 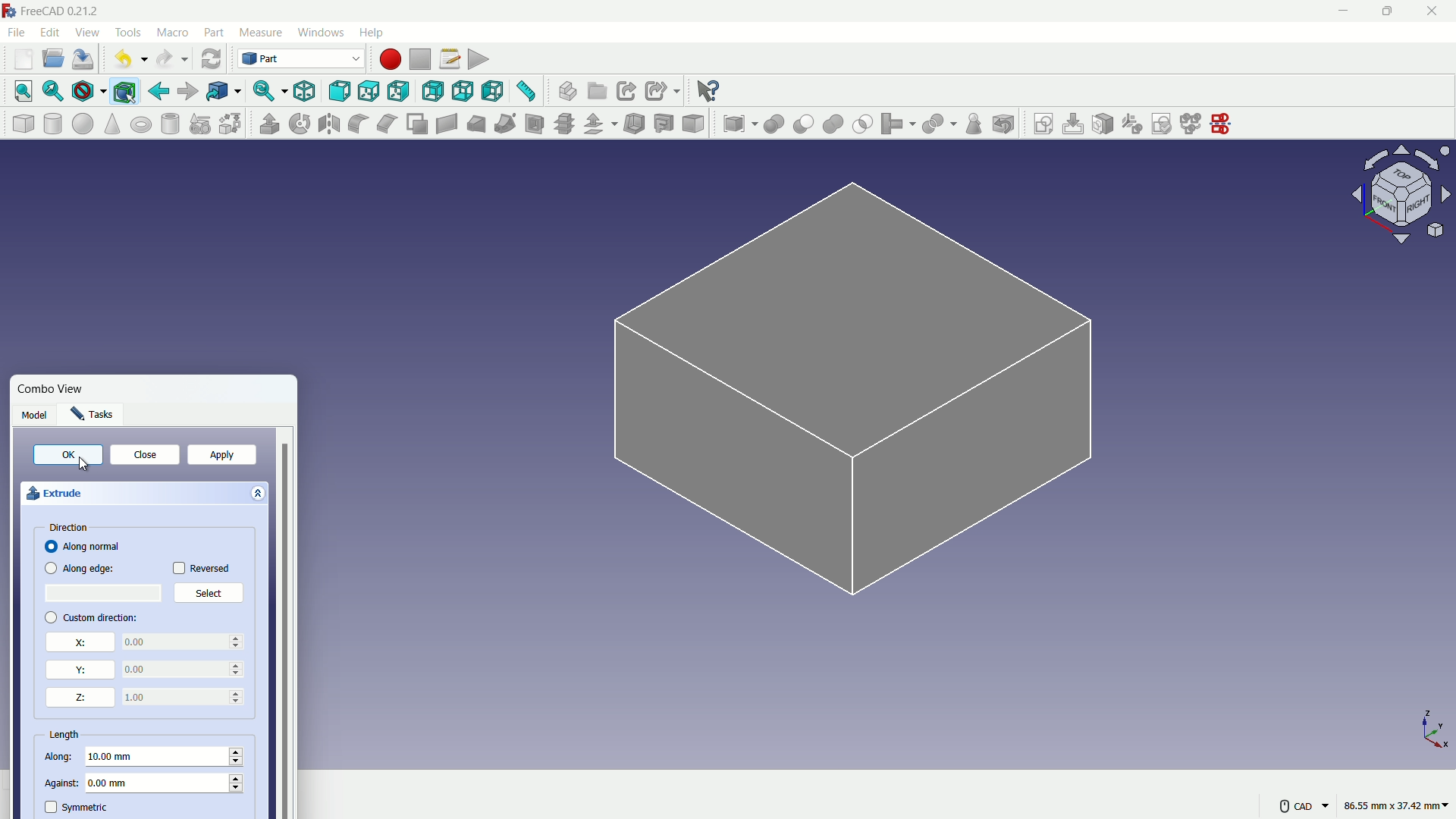 What do you see at coordinates (133, 59) in the screenshot?
I see `undo` at bounding box center [133, 59].